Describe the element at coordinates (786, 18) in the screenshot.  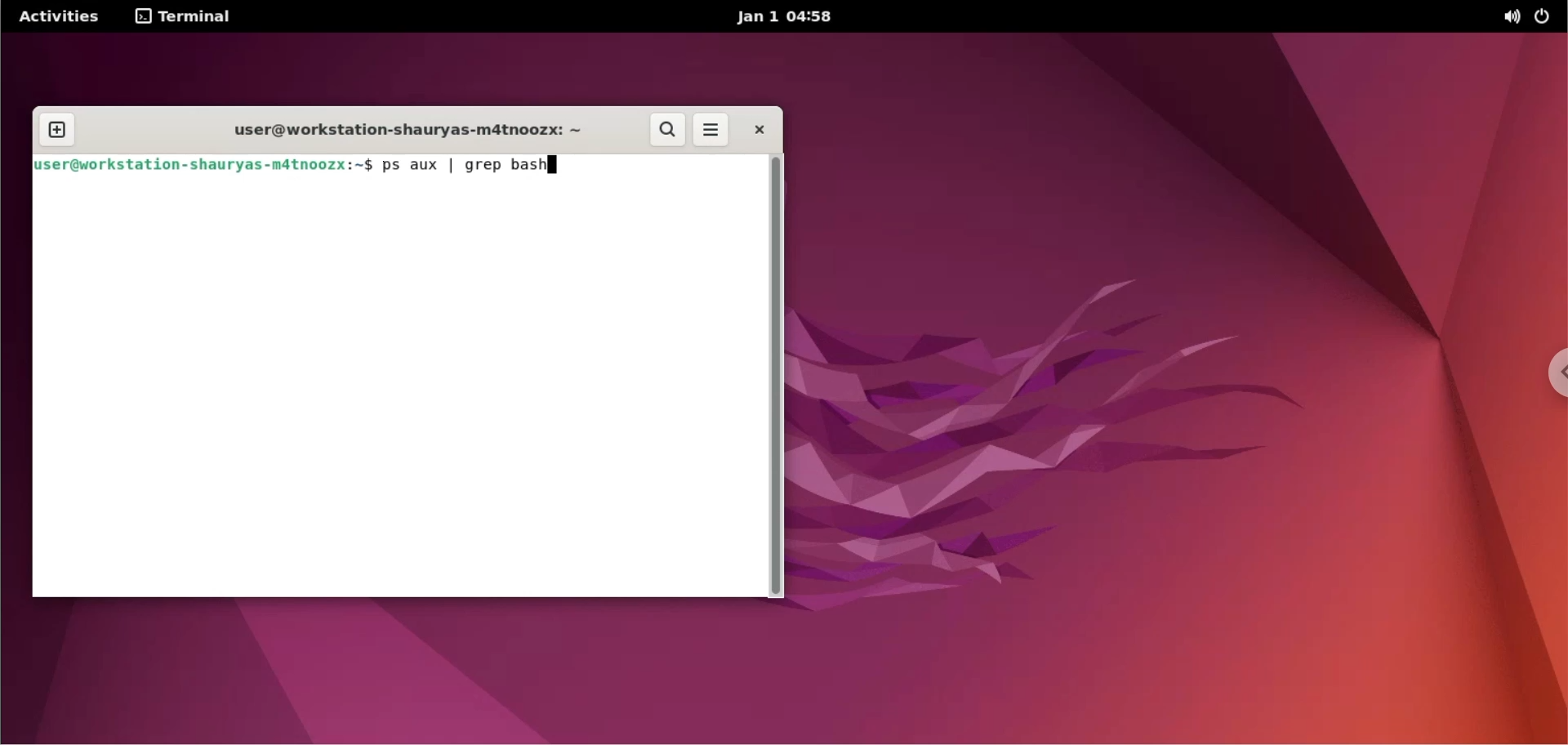
I see `Jan 1 04:58` at that location.